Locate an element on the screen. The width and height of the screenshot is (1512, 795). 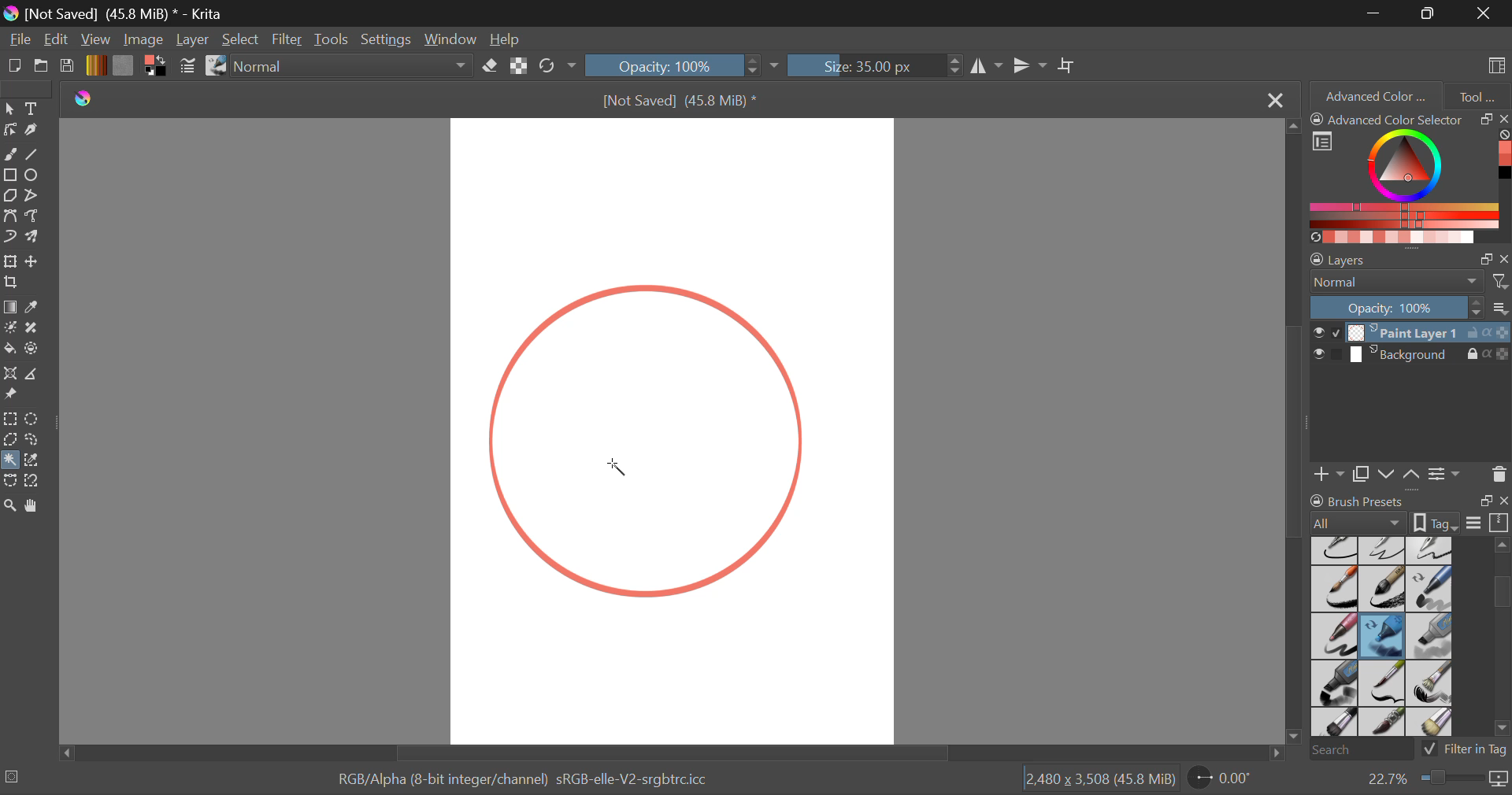
Selected Brush Preset is located at coordinates (65, 777).